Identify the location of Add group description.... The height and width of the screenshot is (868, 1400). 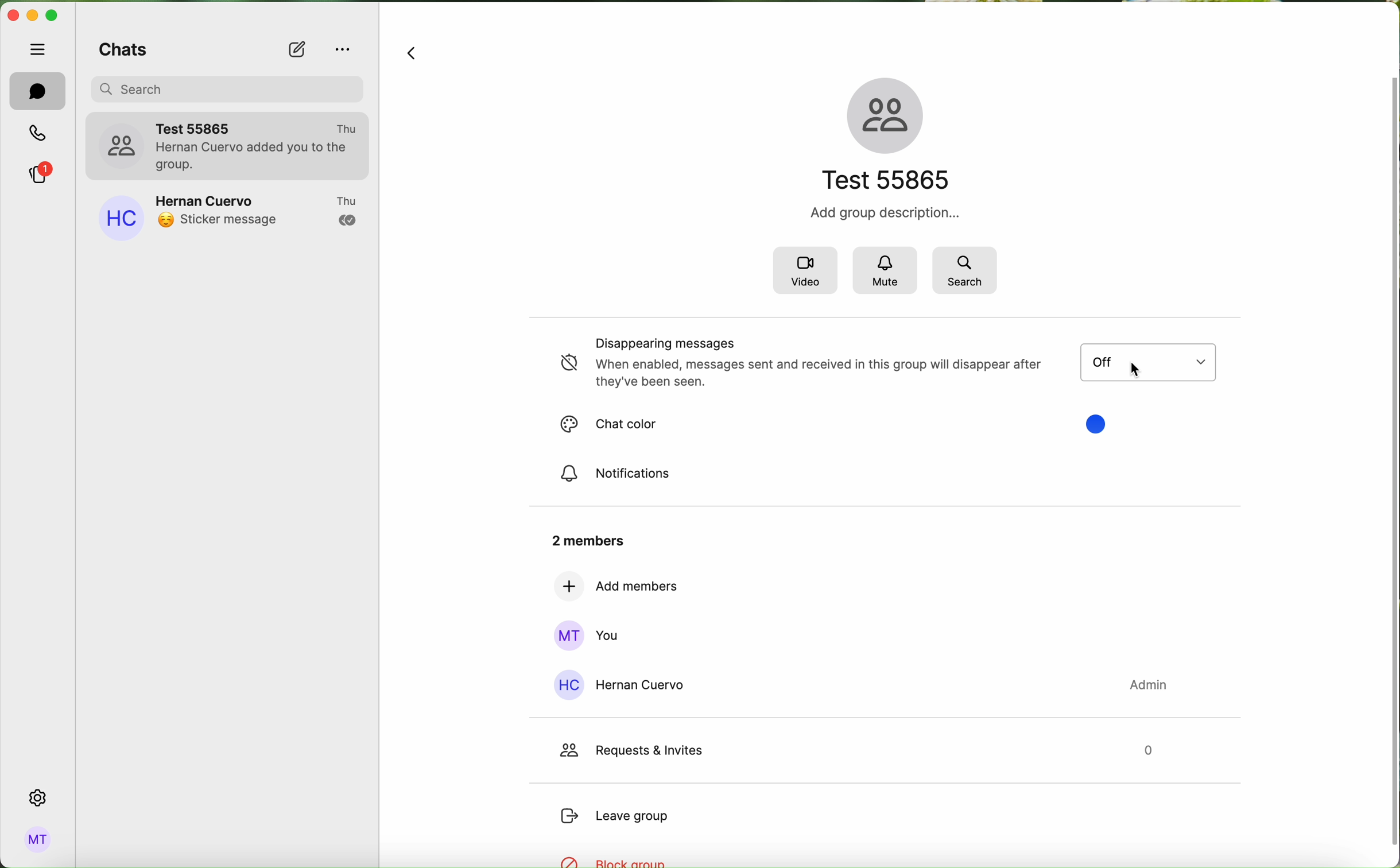
(885, 212).